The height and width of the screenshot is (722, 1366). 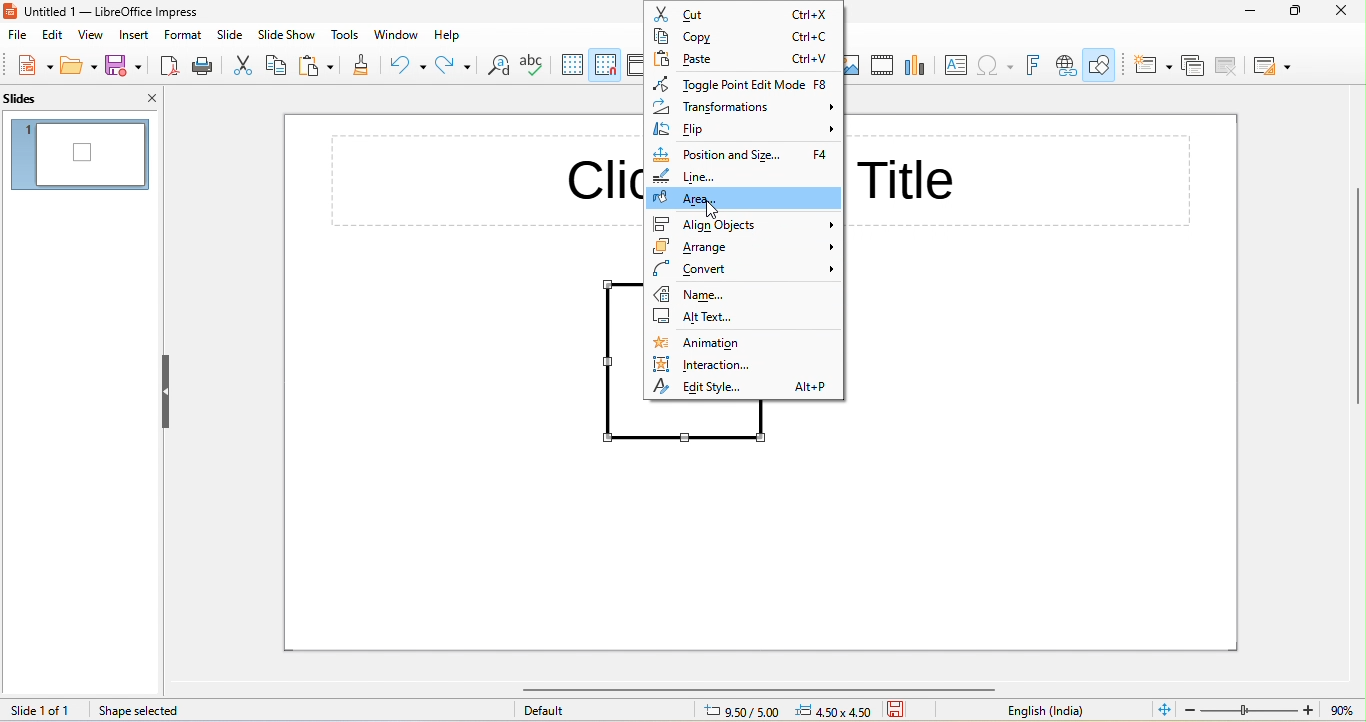 I want to click on shape, so click(x=607, y=362).